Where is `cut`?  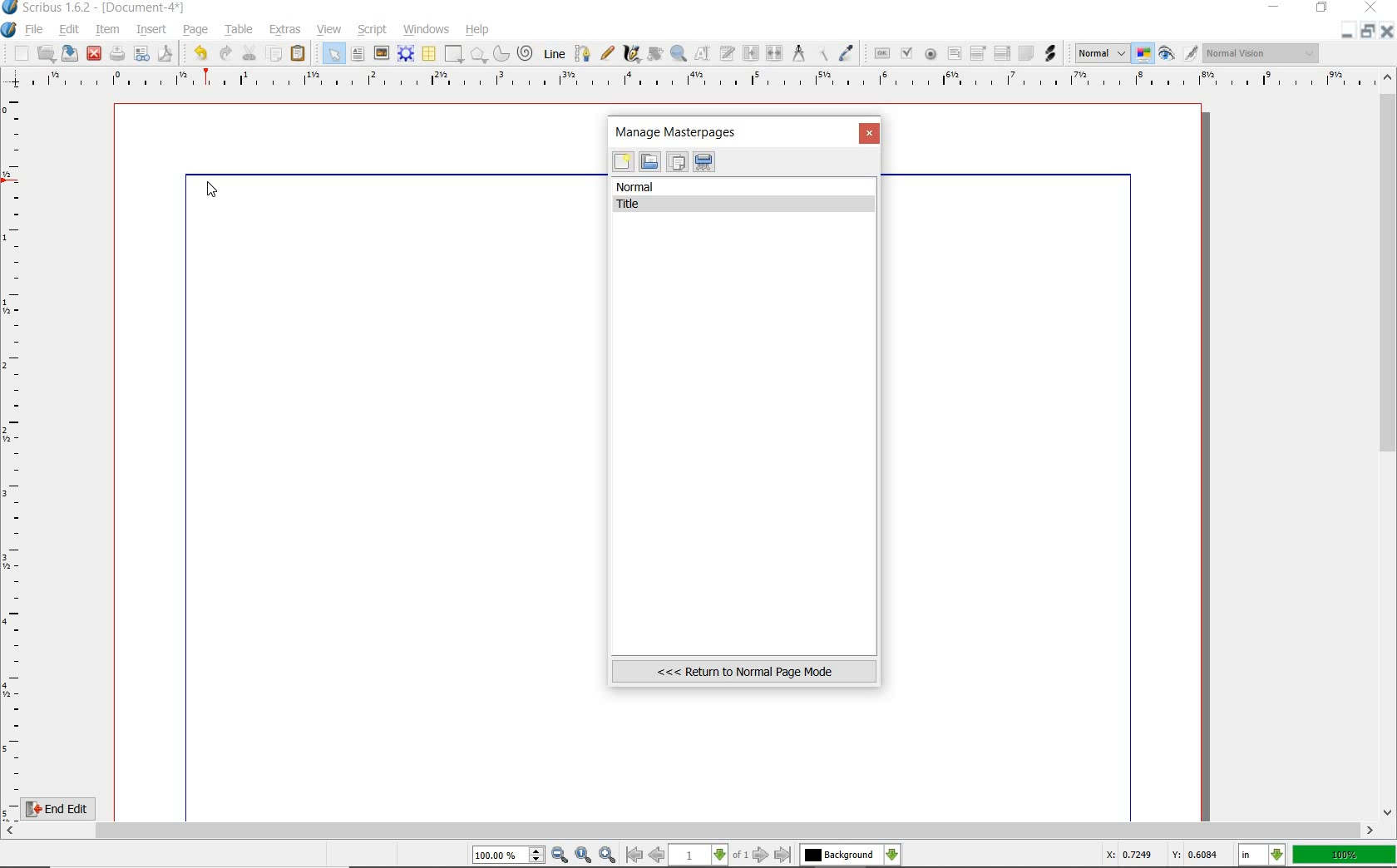 cut is located at coordinates (249, 52).